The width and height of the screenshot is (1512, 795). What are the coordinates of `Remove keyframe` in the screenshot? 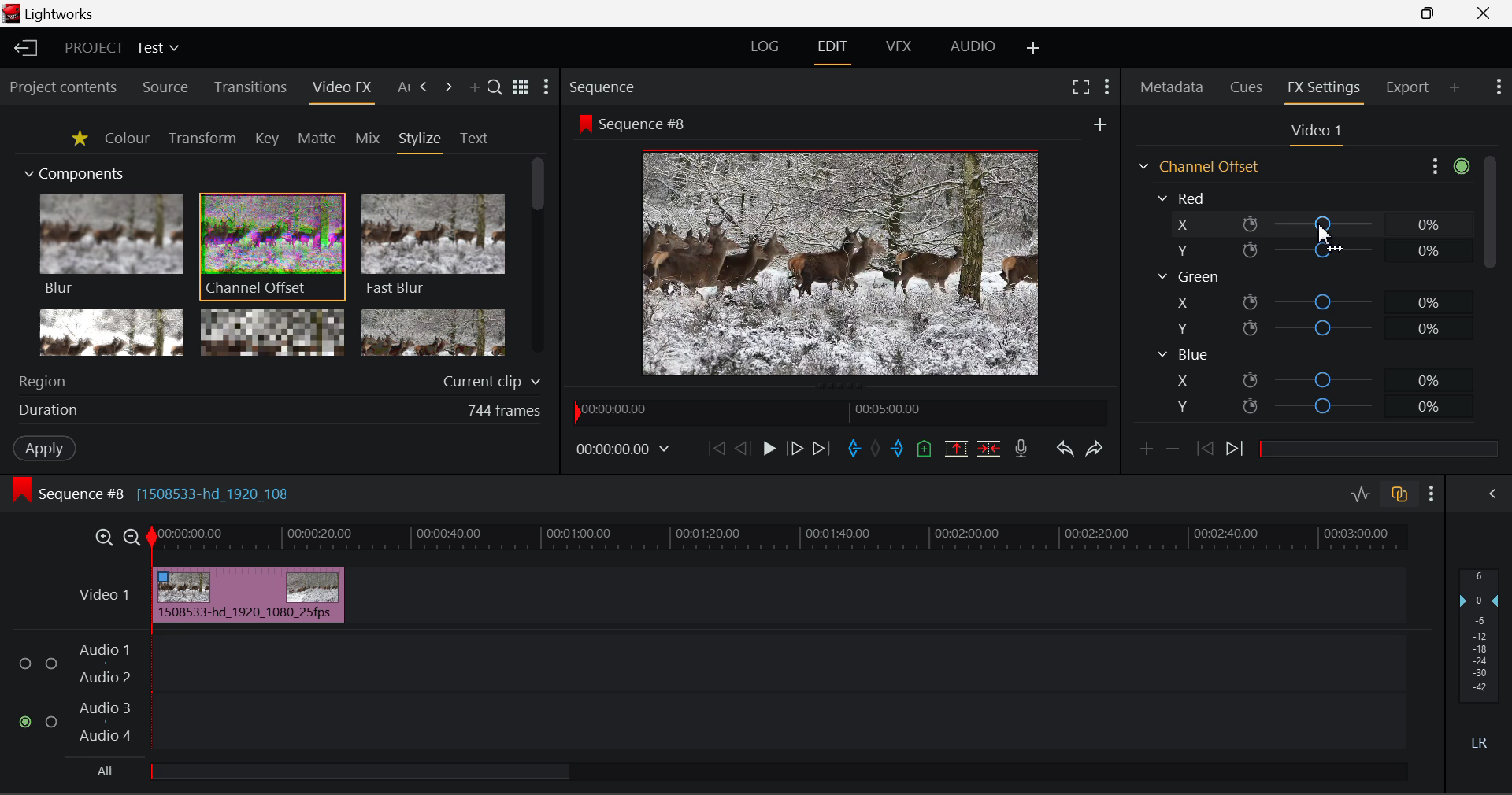 It's located at (1173, 453).